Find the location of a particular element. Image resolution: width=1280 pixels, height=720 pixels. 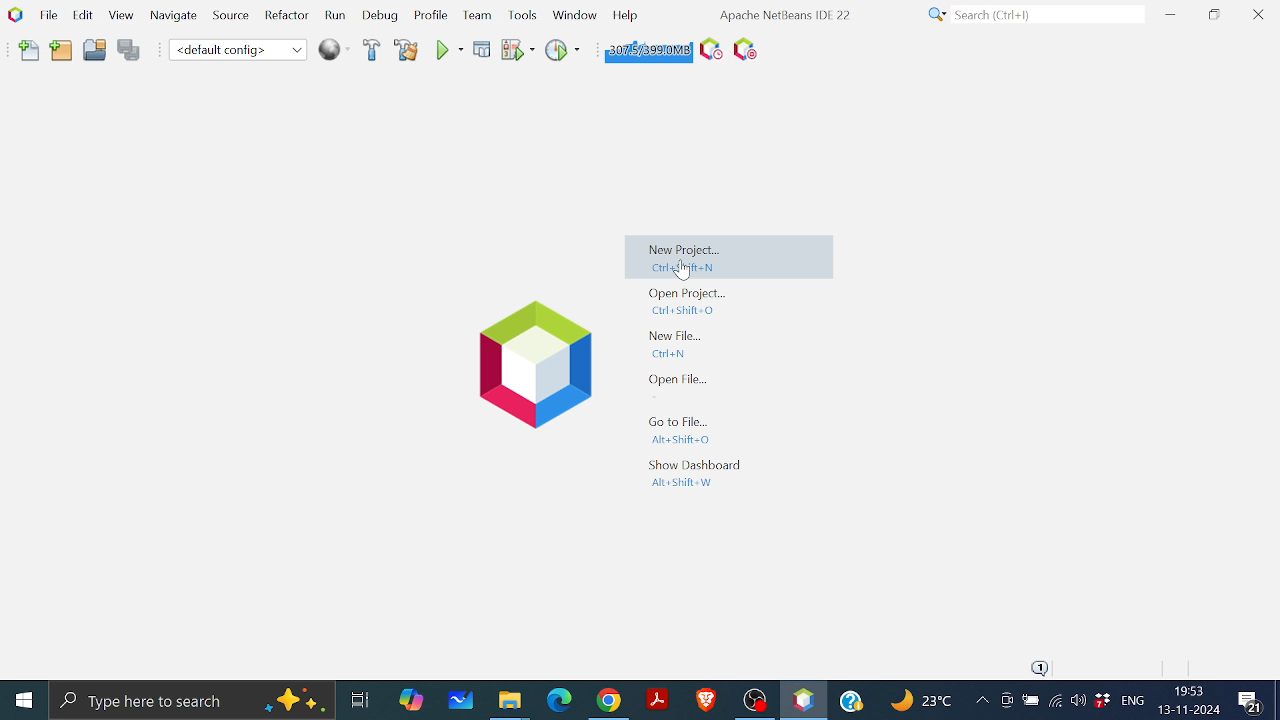

netbeans logo is located at coordinates (527, 365).